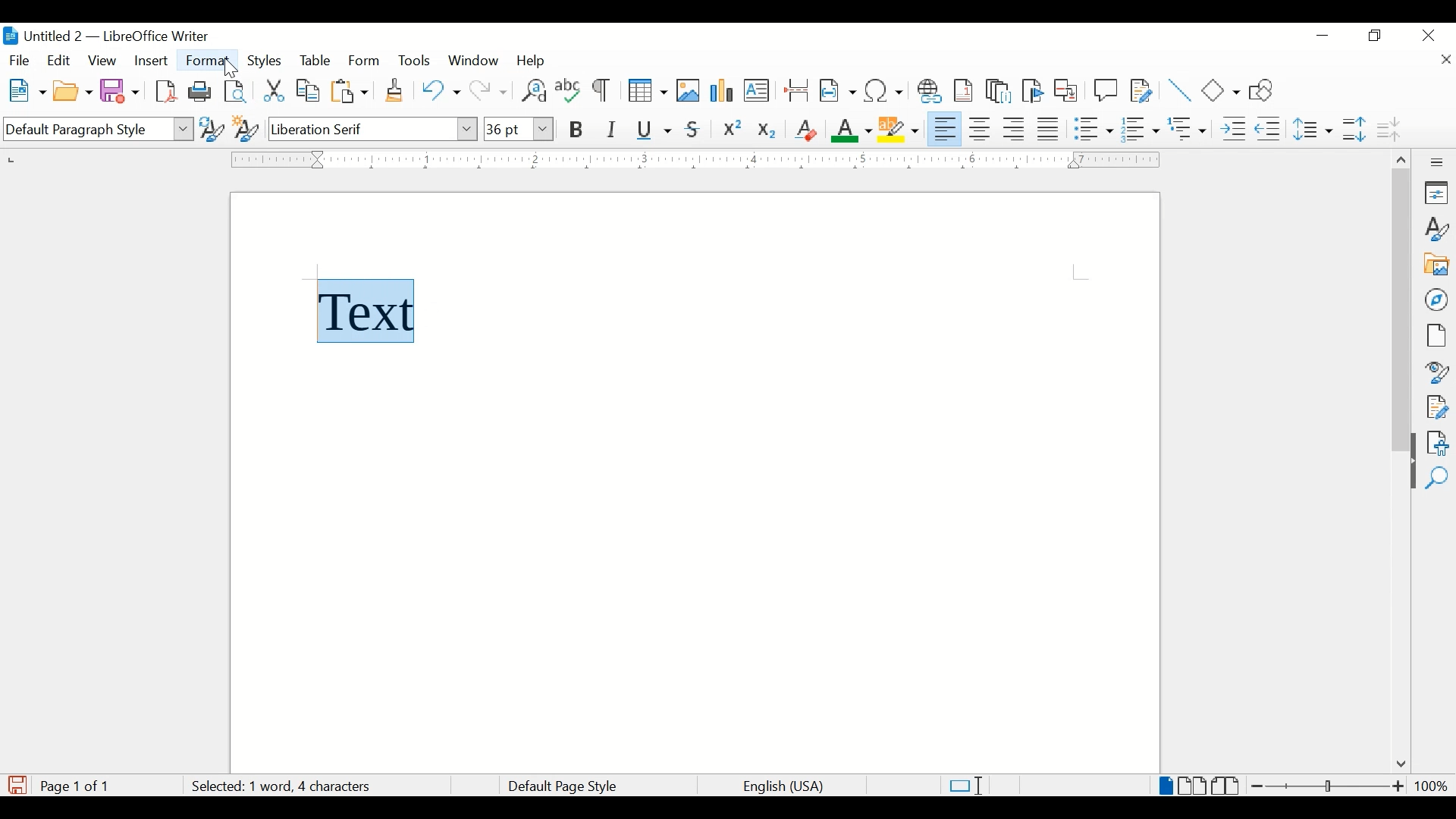 This screenshot has width=1456, height=819. What do you see at coordinates (1445, 61) in the screenshot?
I see `close` at bounding box center [1445, 61].